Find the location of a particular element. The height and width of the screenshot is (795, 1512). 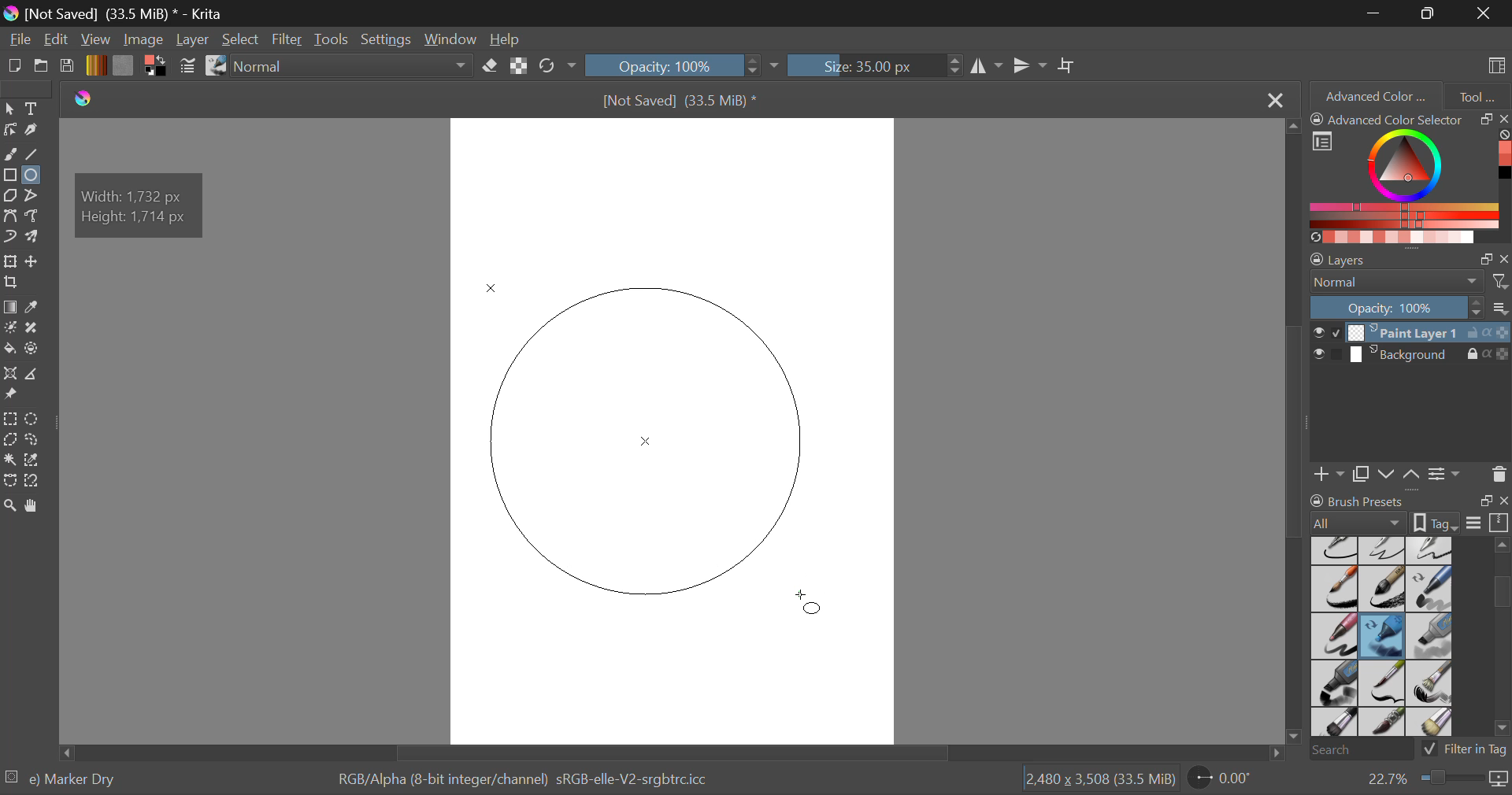

Rectangle is located at coordinates (9, 176).